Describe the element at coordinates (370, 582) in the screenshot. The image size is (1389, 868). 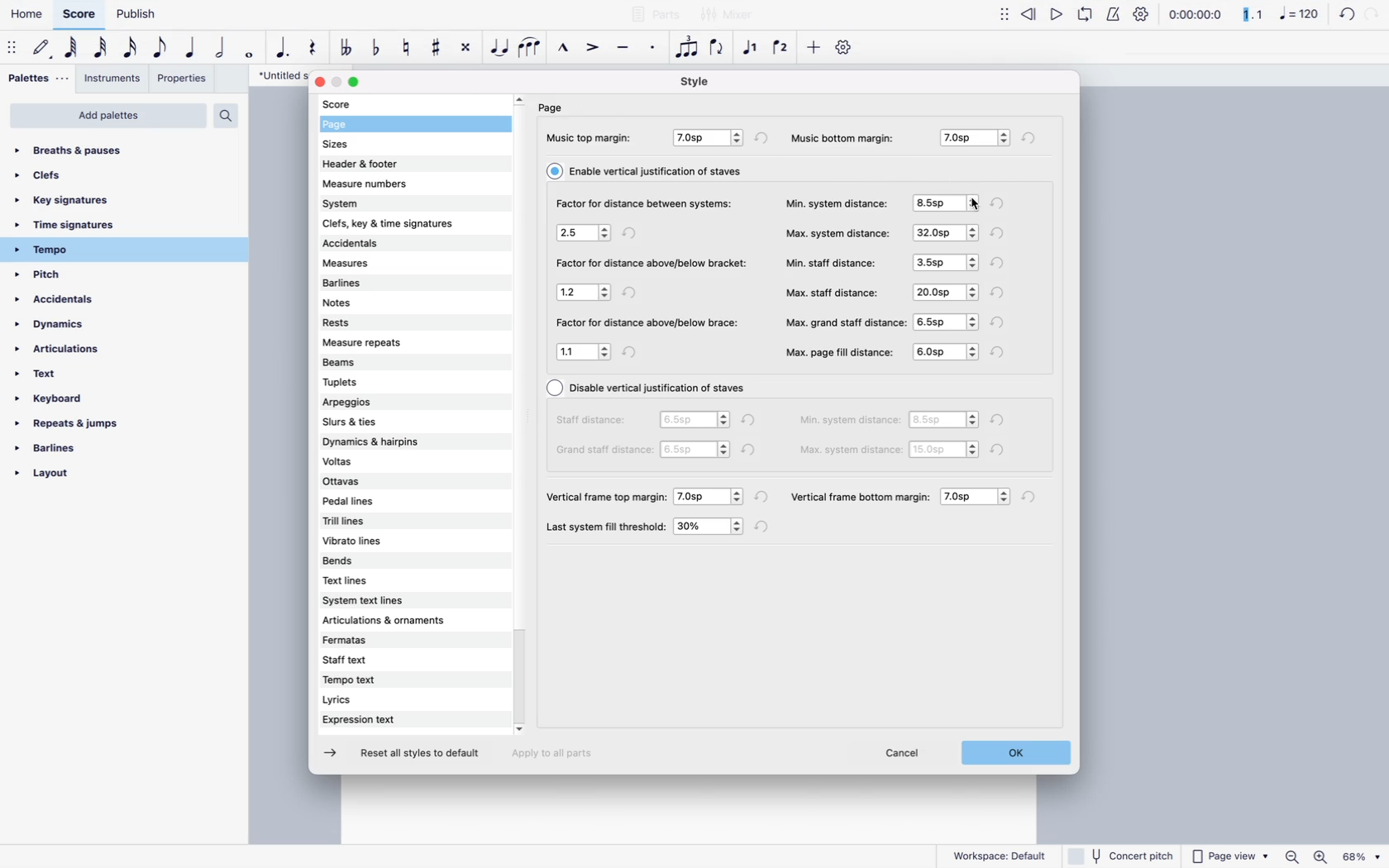
I see `text lines` at that location.